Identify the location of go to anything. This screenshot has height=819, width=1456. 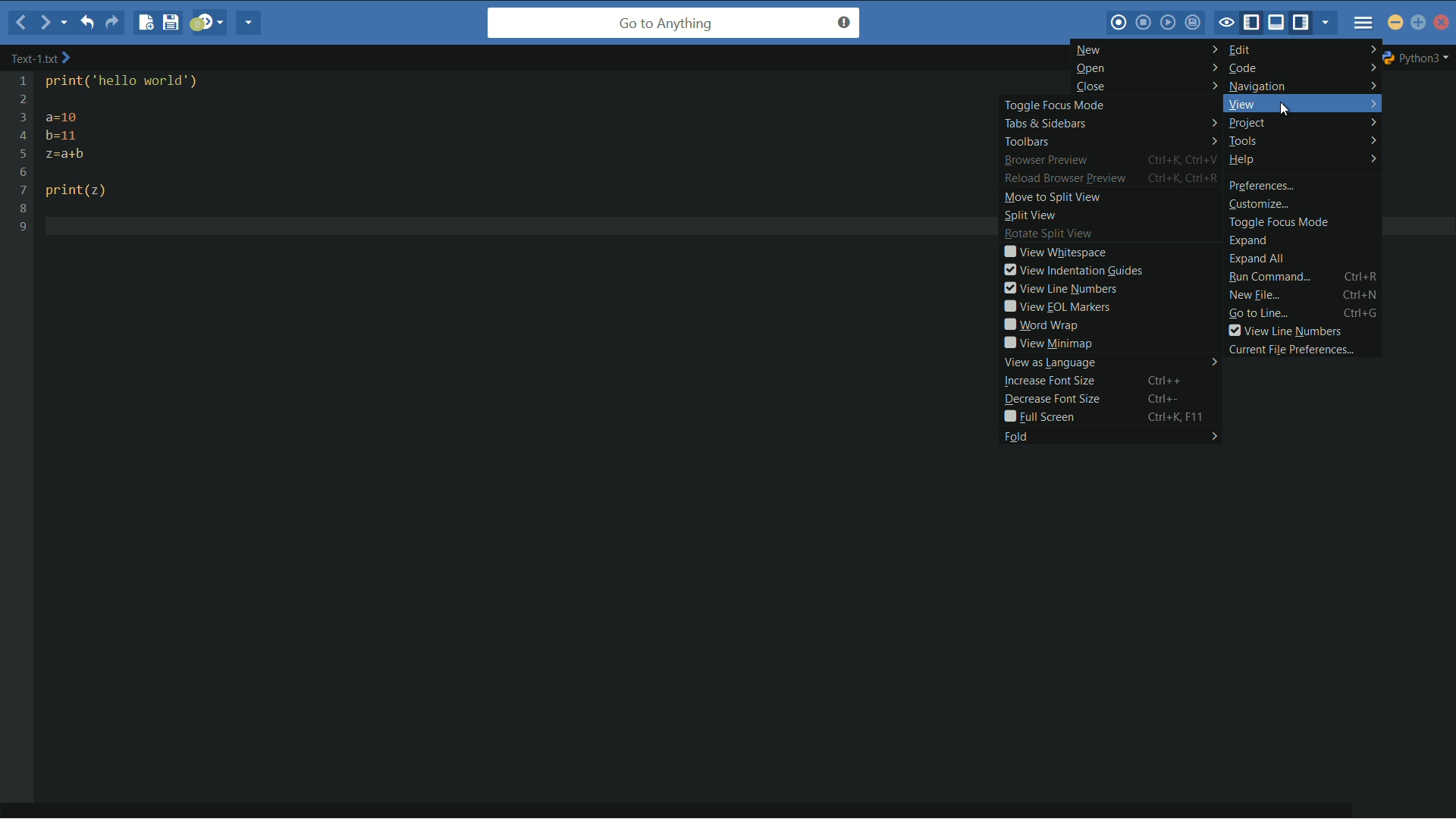
(673, 24).